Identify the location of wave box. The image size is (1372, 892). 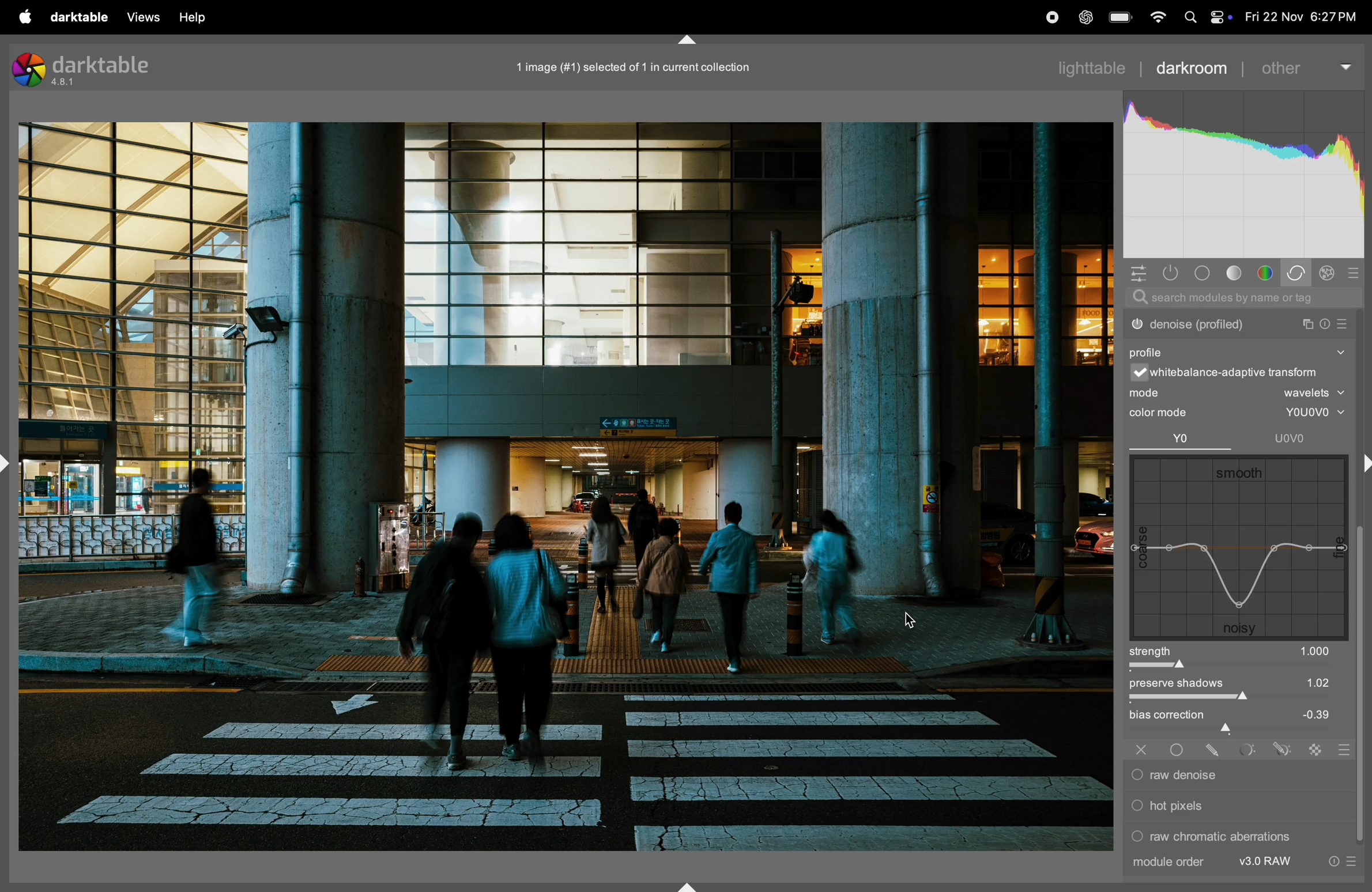
(1237, 547).